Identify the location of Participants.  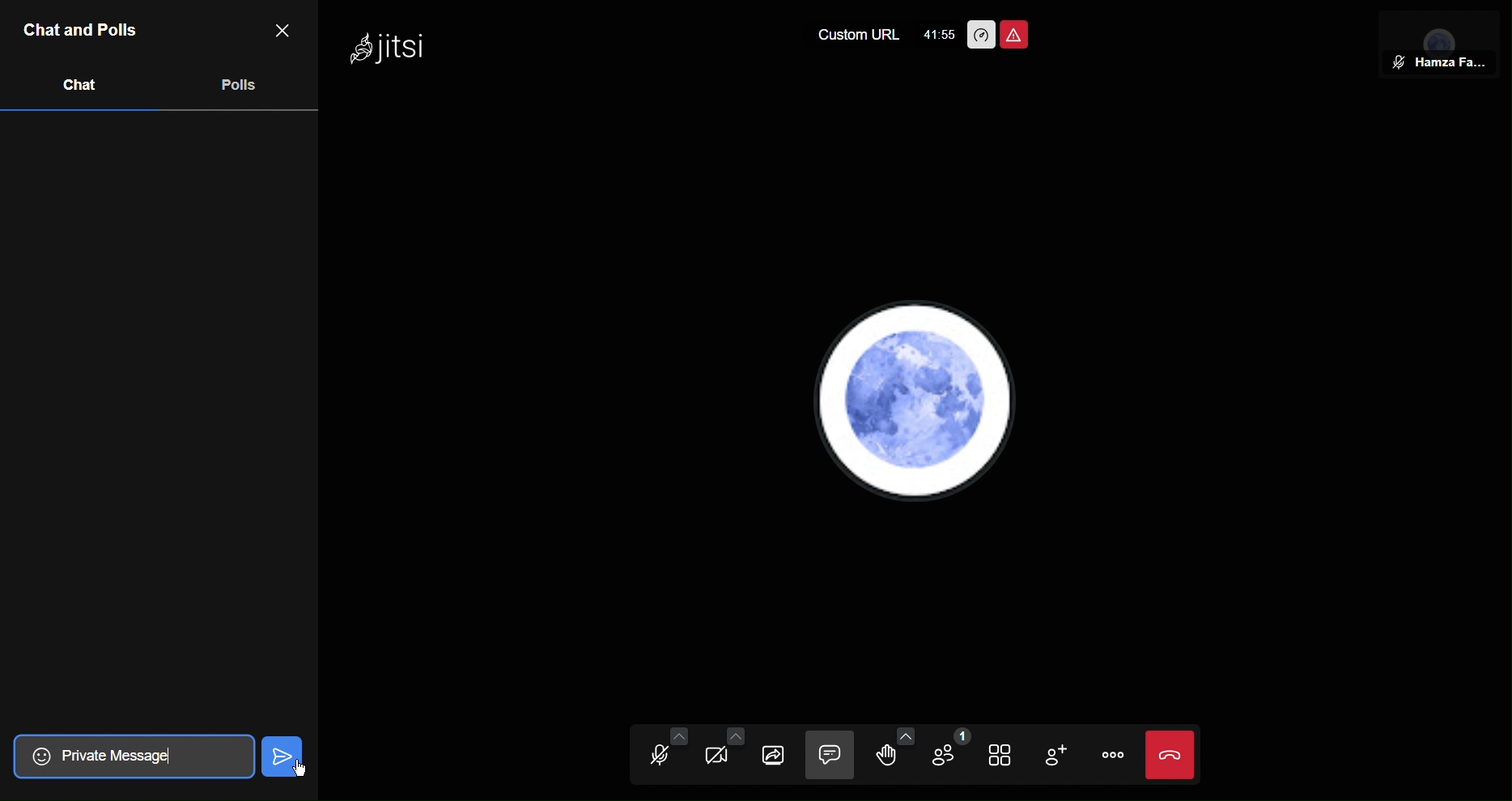
(950, 752).